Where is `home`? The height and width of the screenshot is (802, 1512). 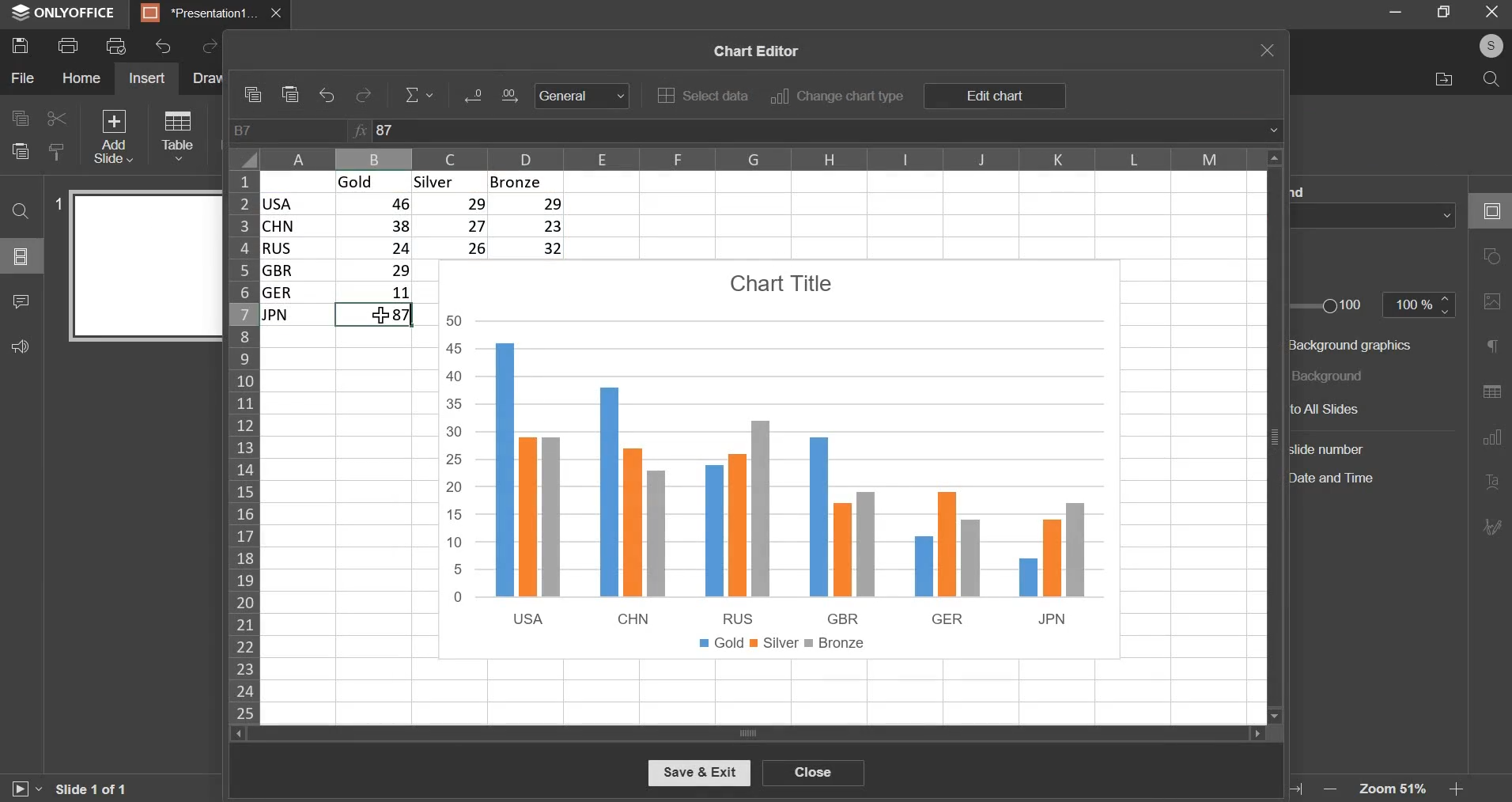
home is located at coordinates (80, 78).